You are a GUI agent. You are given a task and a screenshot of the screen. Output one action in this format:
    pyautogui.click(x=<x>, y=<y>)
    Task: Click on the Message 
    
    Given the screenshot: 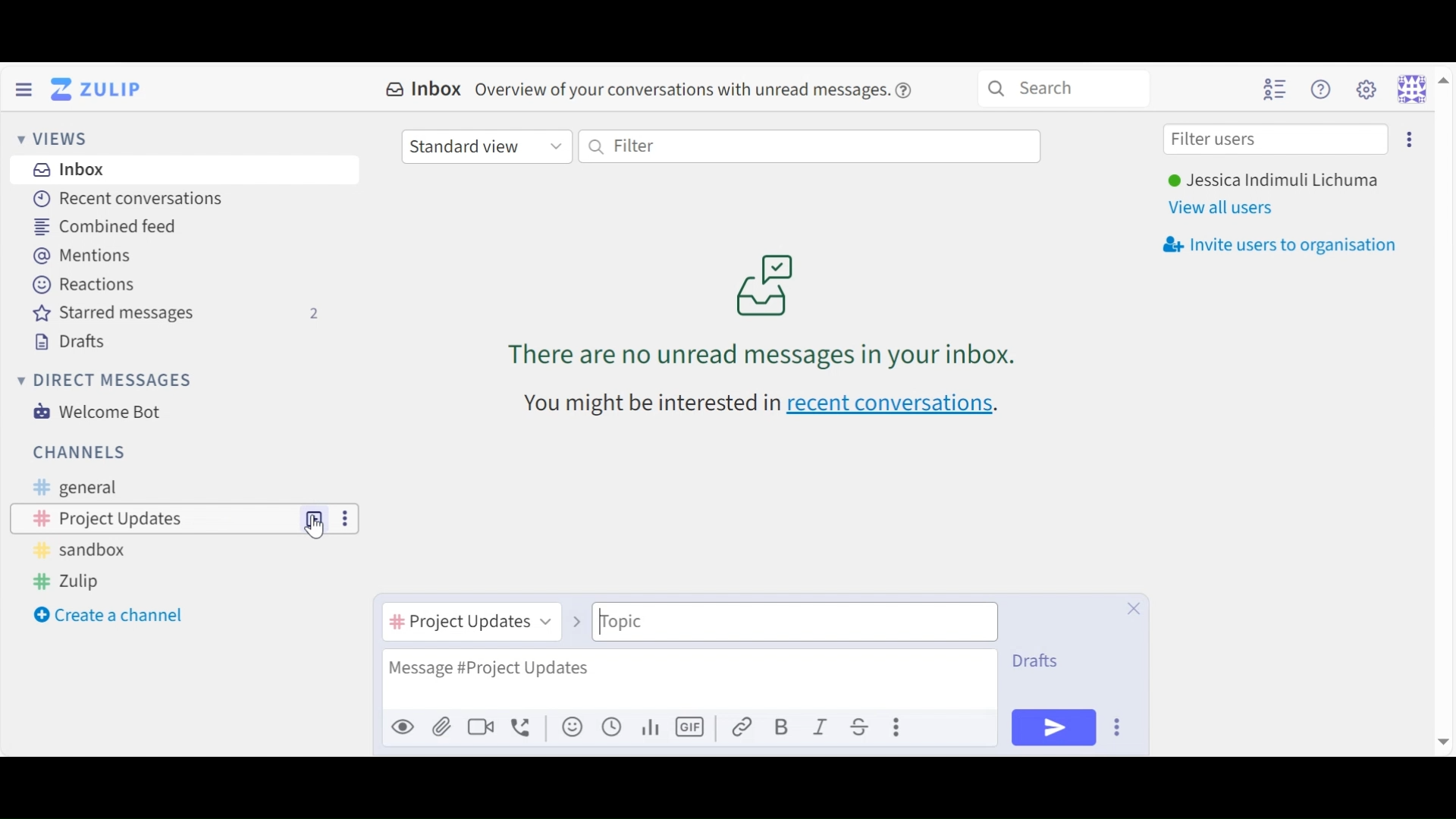 What is the action you would take?
    pyautogui.click(x=689, y=678)
    